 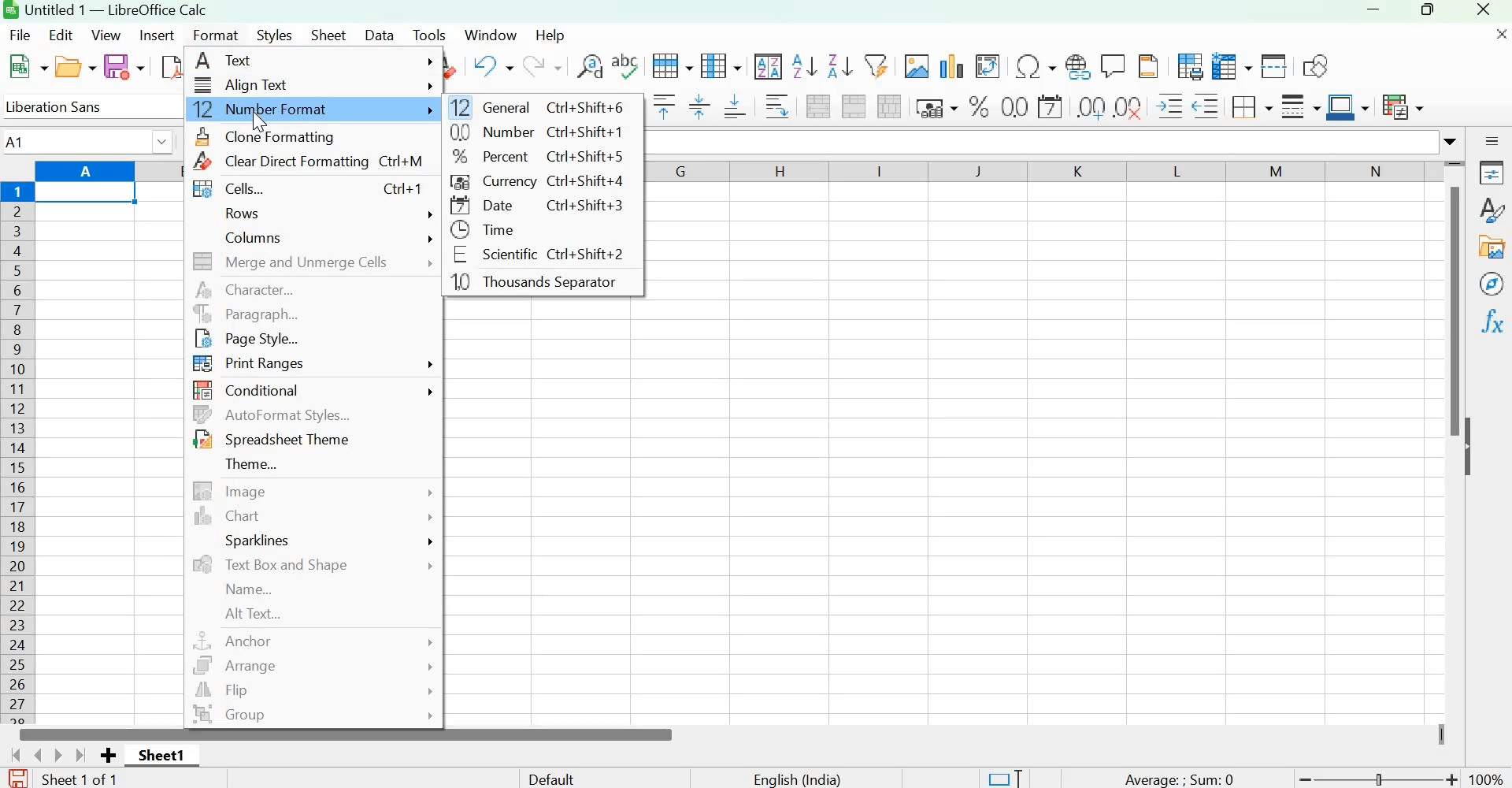 I want to click on Default, so click(x=566, y=777).